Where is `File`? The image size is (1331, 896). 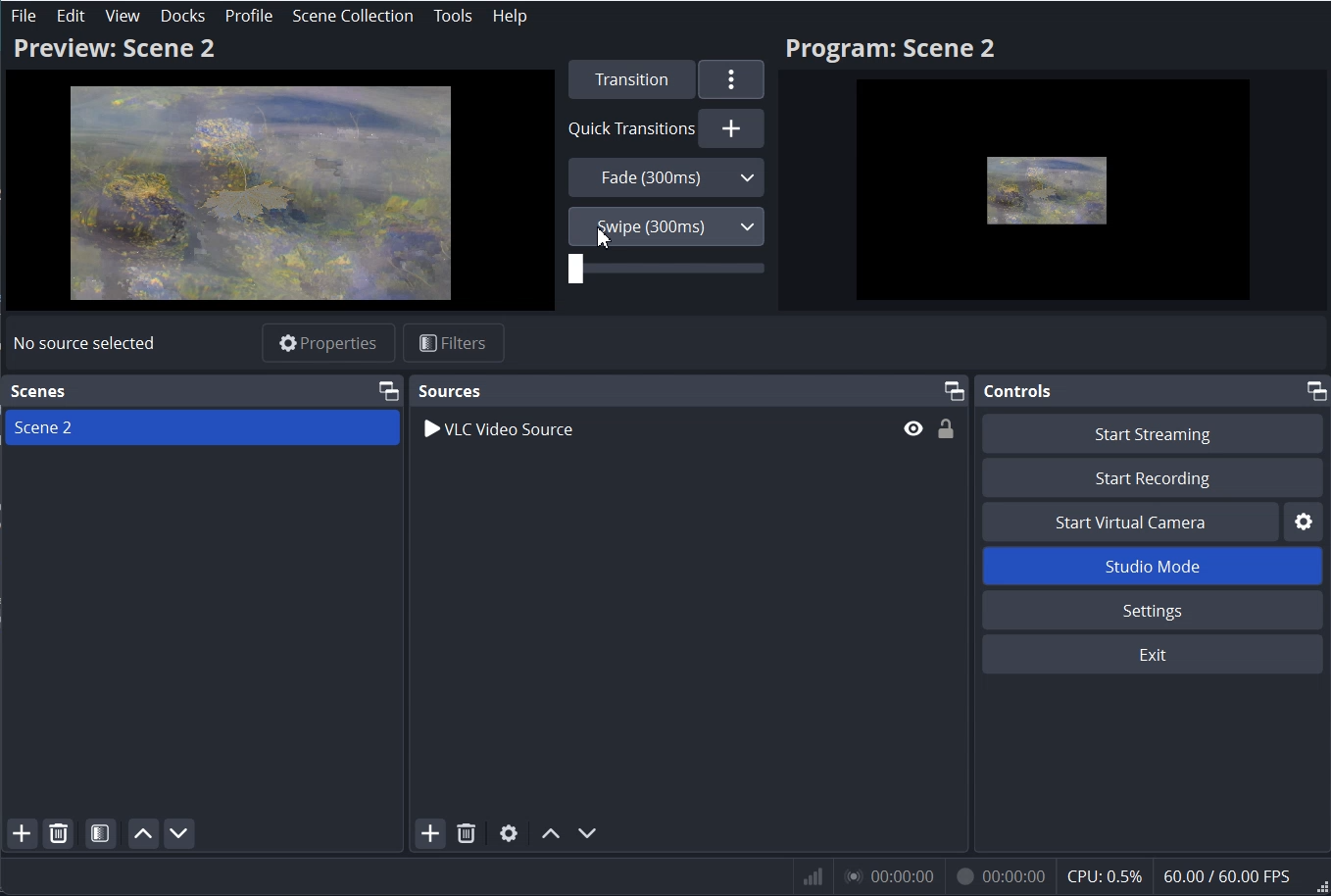
File is located at coordinates (24, 17).